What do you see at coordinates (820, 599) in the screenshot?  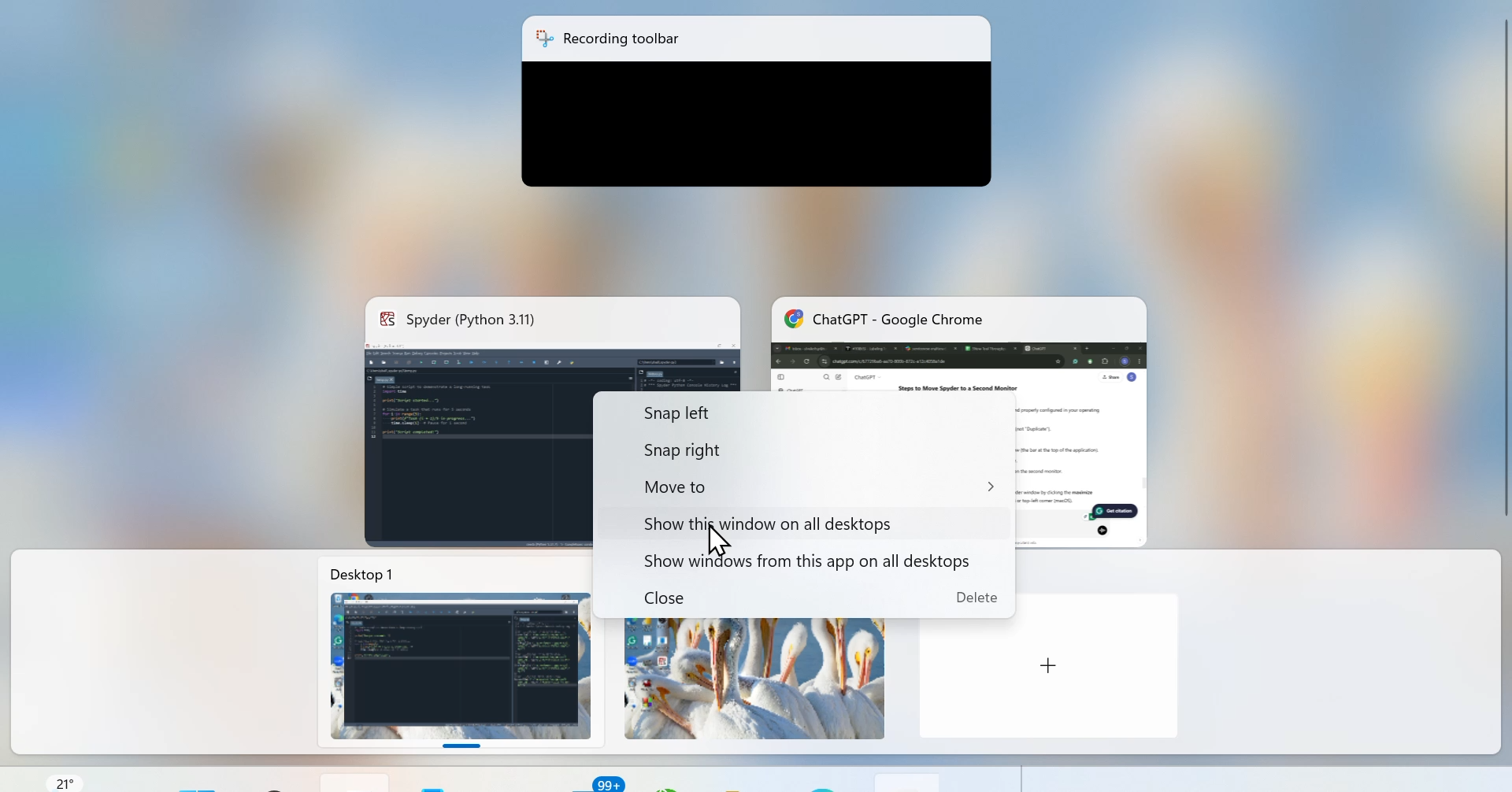 I see `Close` at bounding box center [820, 599].